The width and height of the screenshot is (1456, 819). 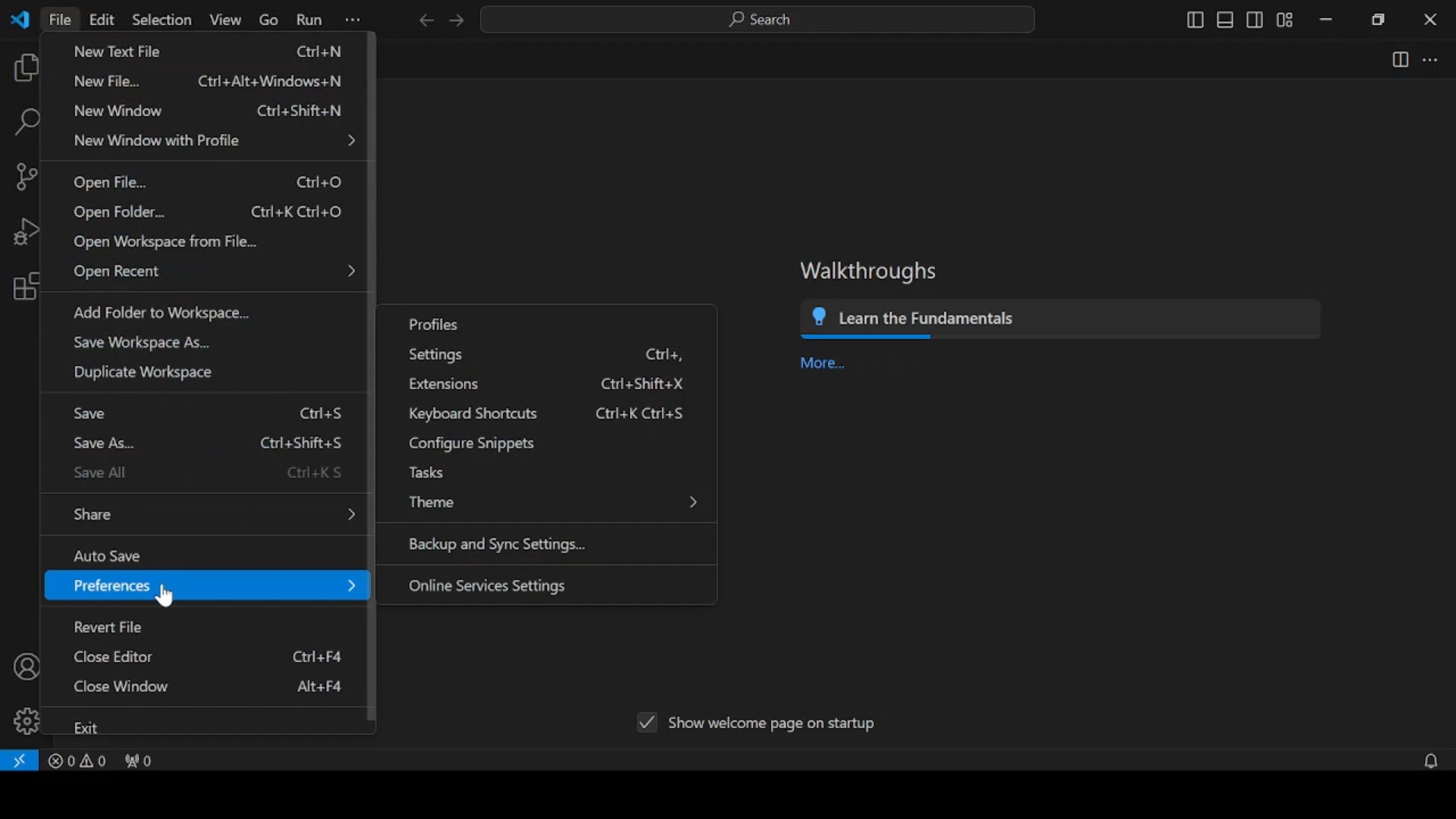 I want to click on selection, so click(x=163, y=20).